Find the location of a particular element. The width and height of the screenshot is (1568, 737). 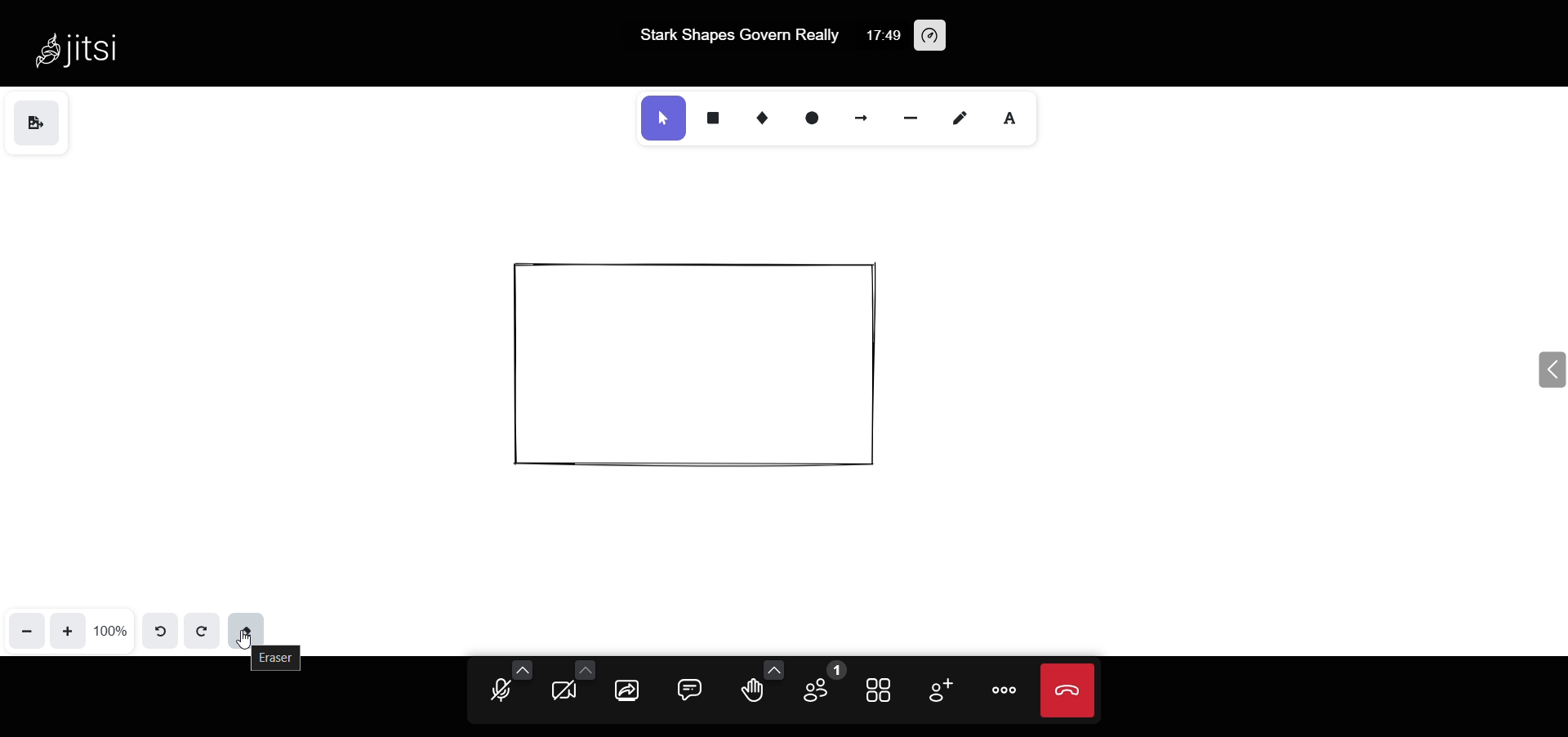

cursor is located at coordinates (247, 647).